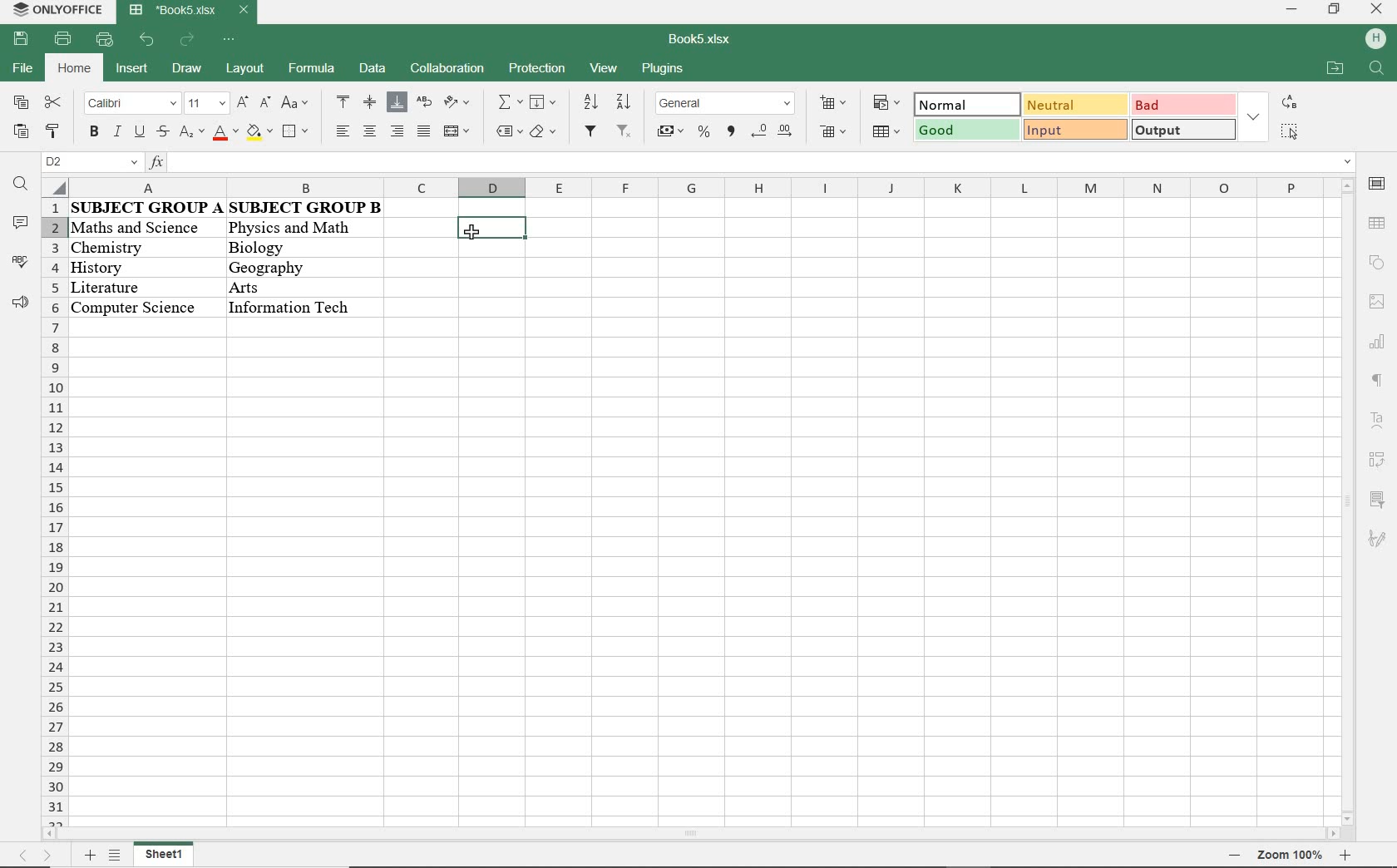  Describe the element at coordinates (138, 134) in the screenshot. I see `underline` at that location.